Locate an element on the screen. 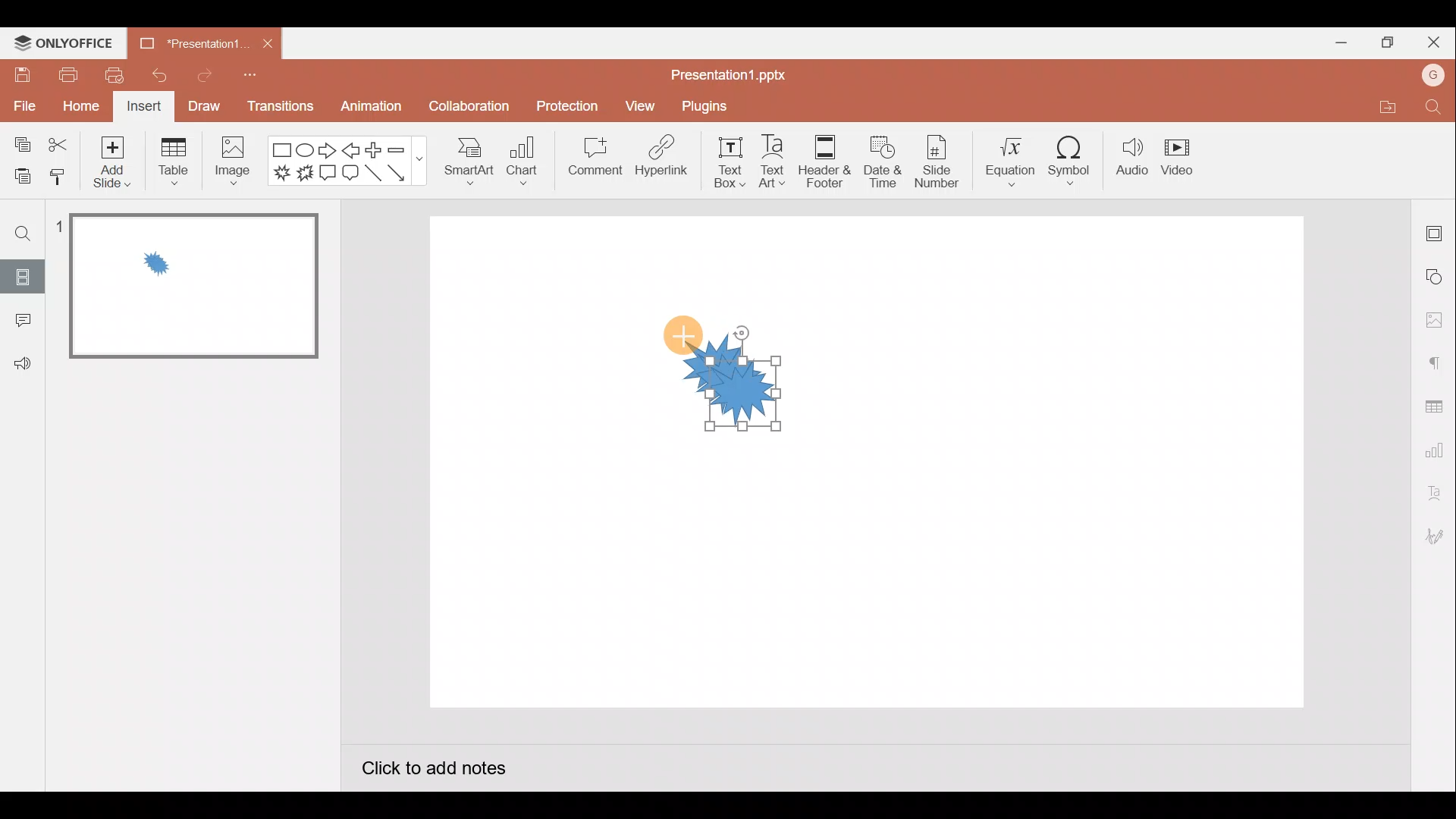 Image resolution: width=1456 pixels, height=819 pixels. Header & footer is located at coordinates (825, 162).